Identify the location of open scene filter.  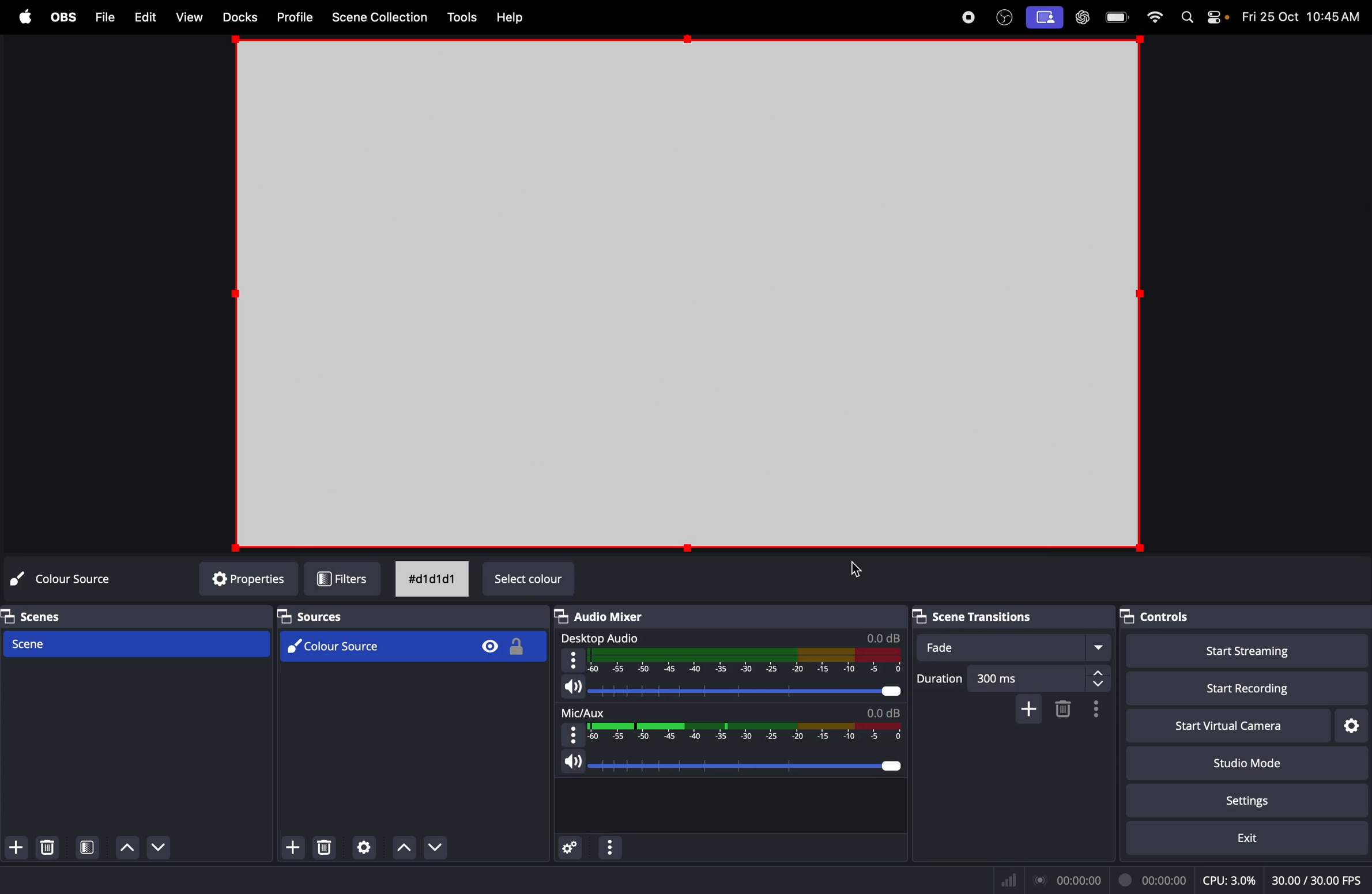
(89, 847).